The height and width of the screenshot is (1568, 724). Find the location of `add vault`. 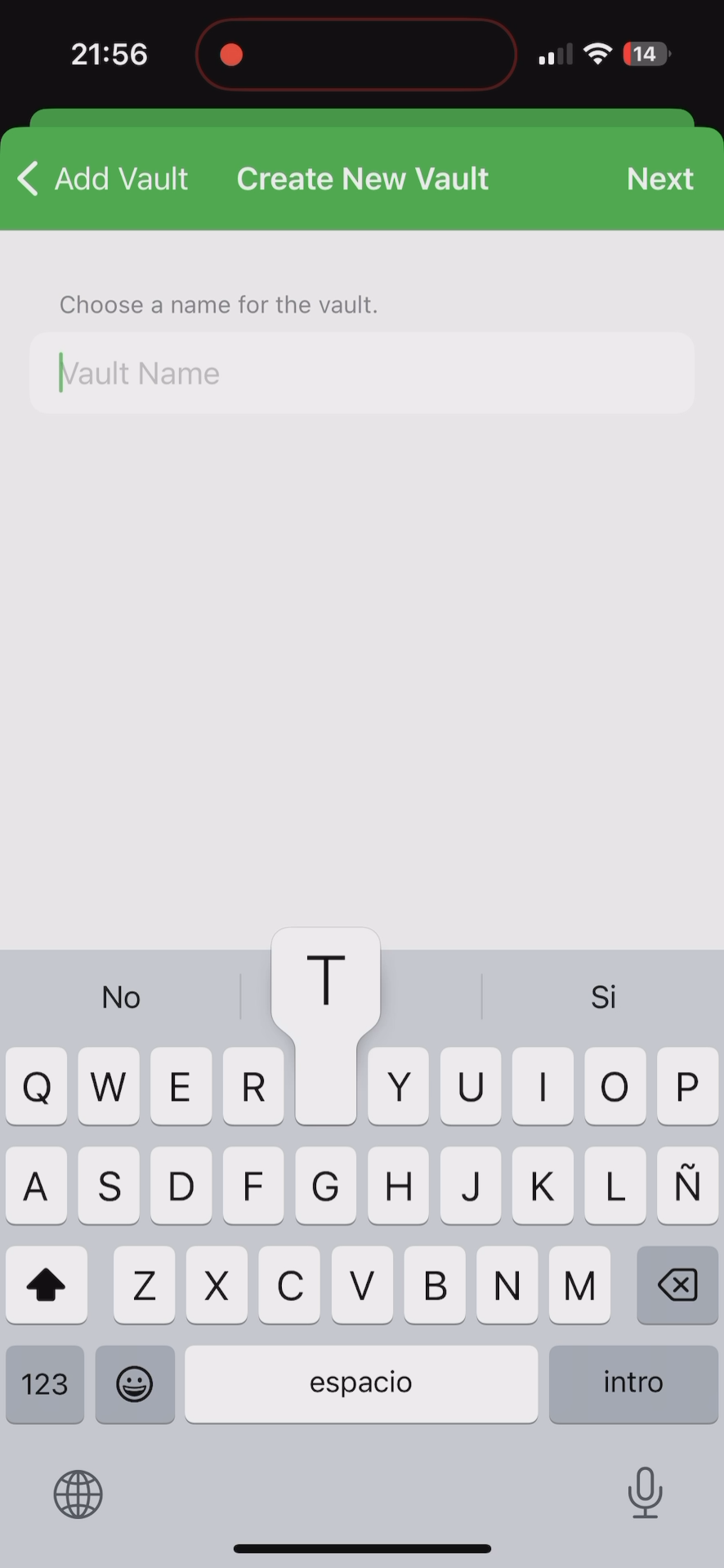

add vault is located at coordinates (103, 178).